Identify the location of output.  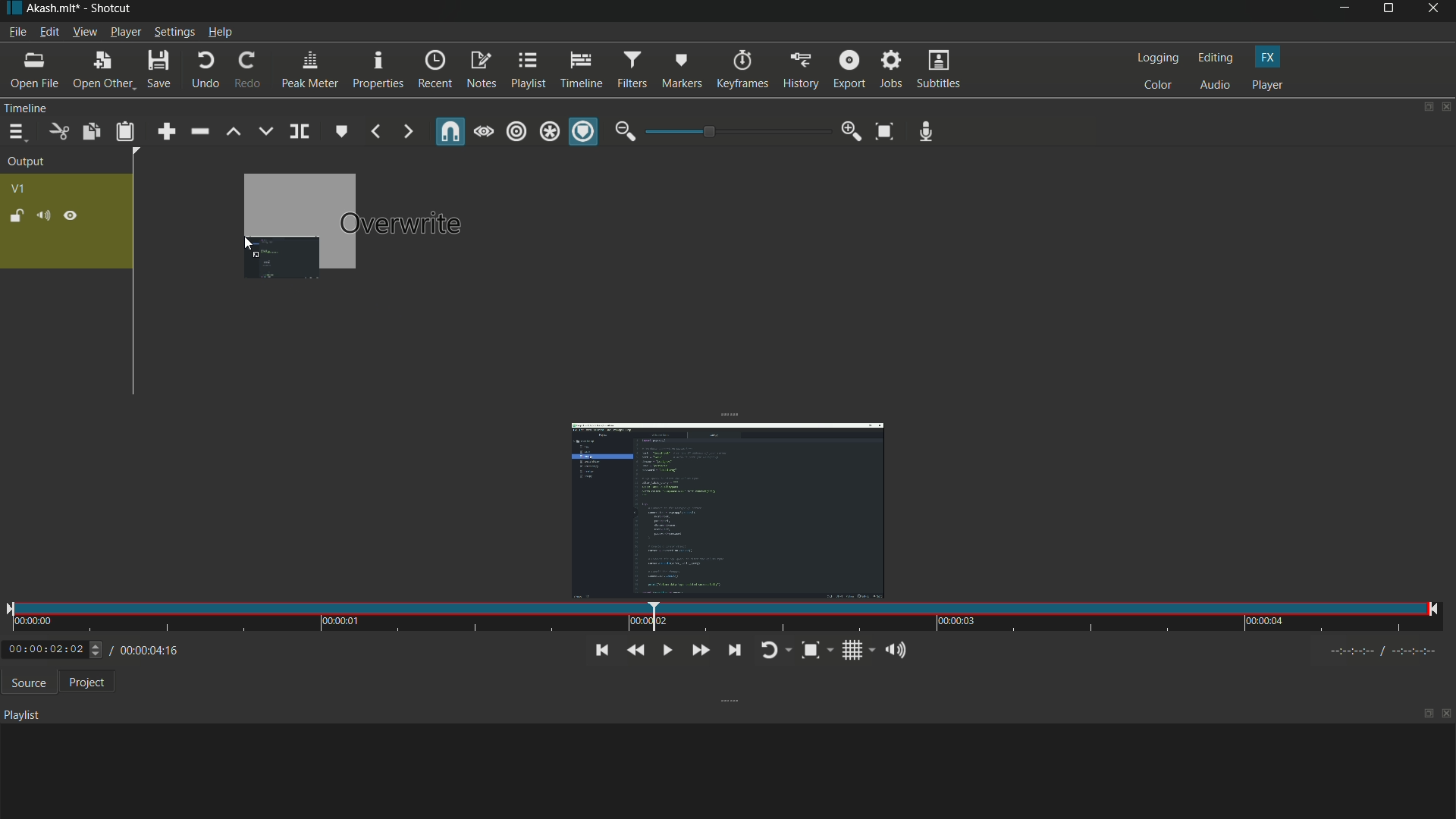
(27, 163).